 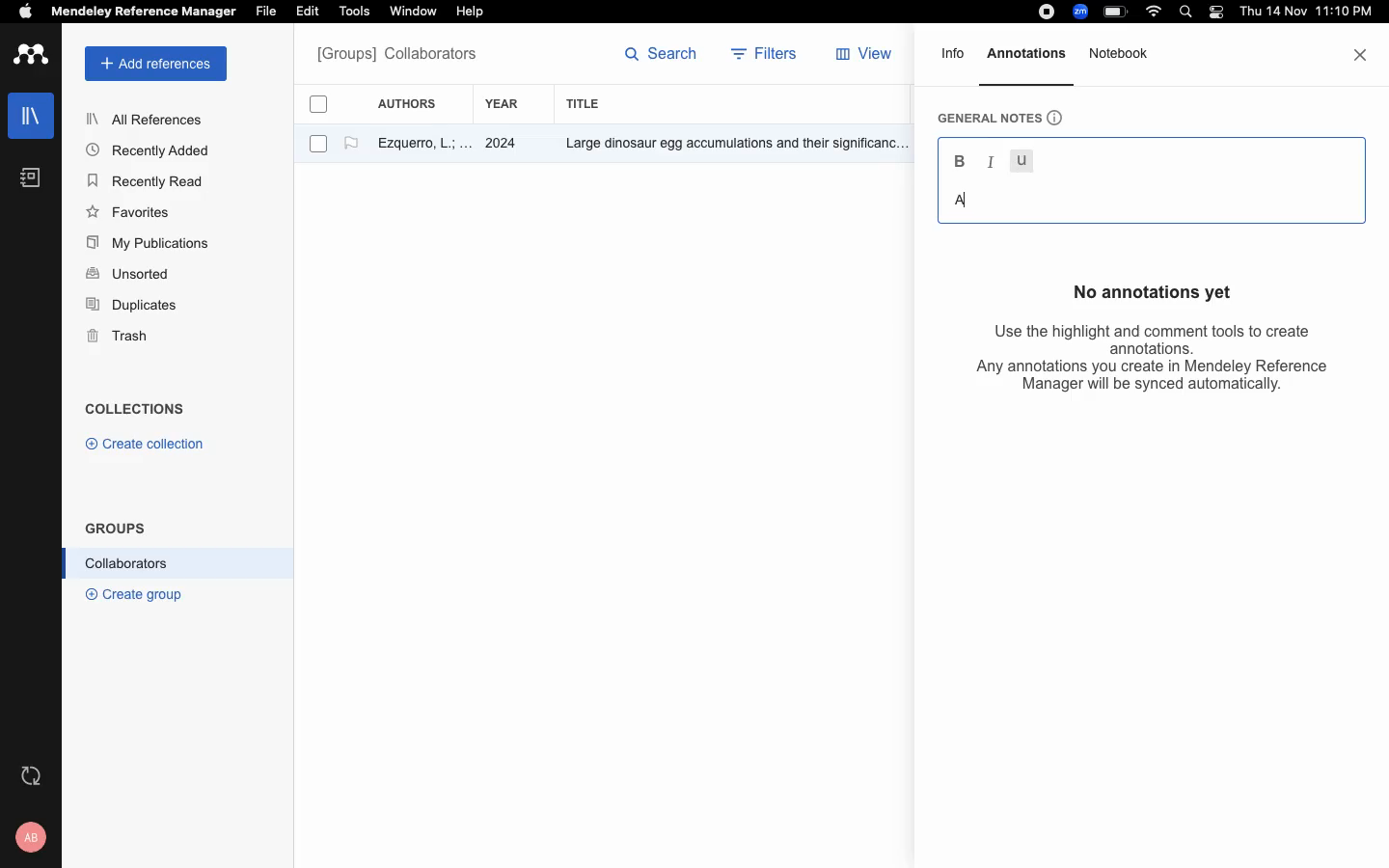 I want to click on Tools, so click(x=354, y=13).